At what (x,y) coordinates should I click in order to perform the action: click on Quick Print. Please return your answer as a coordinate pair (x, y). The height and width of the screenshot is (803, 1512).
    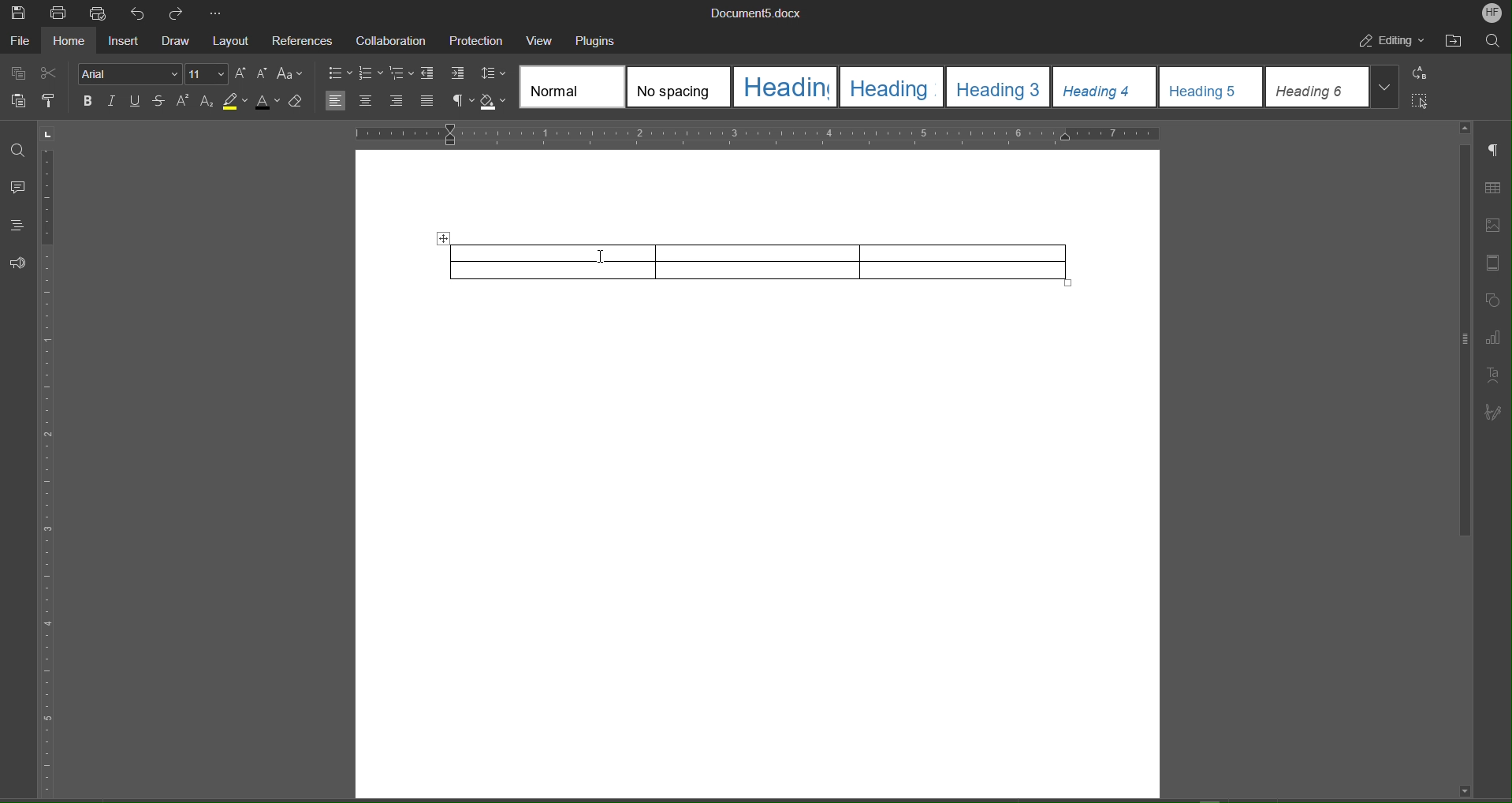
    Looking at the image, I should click on (102, 14).